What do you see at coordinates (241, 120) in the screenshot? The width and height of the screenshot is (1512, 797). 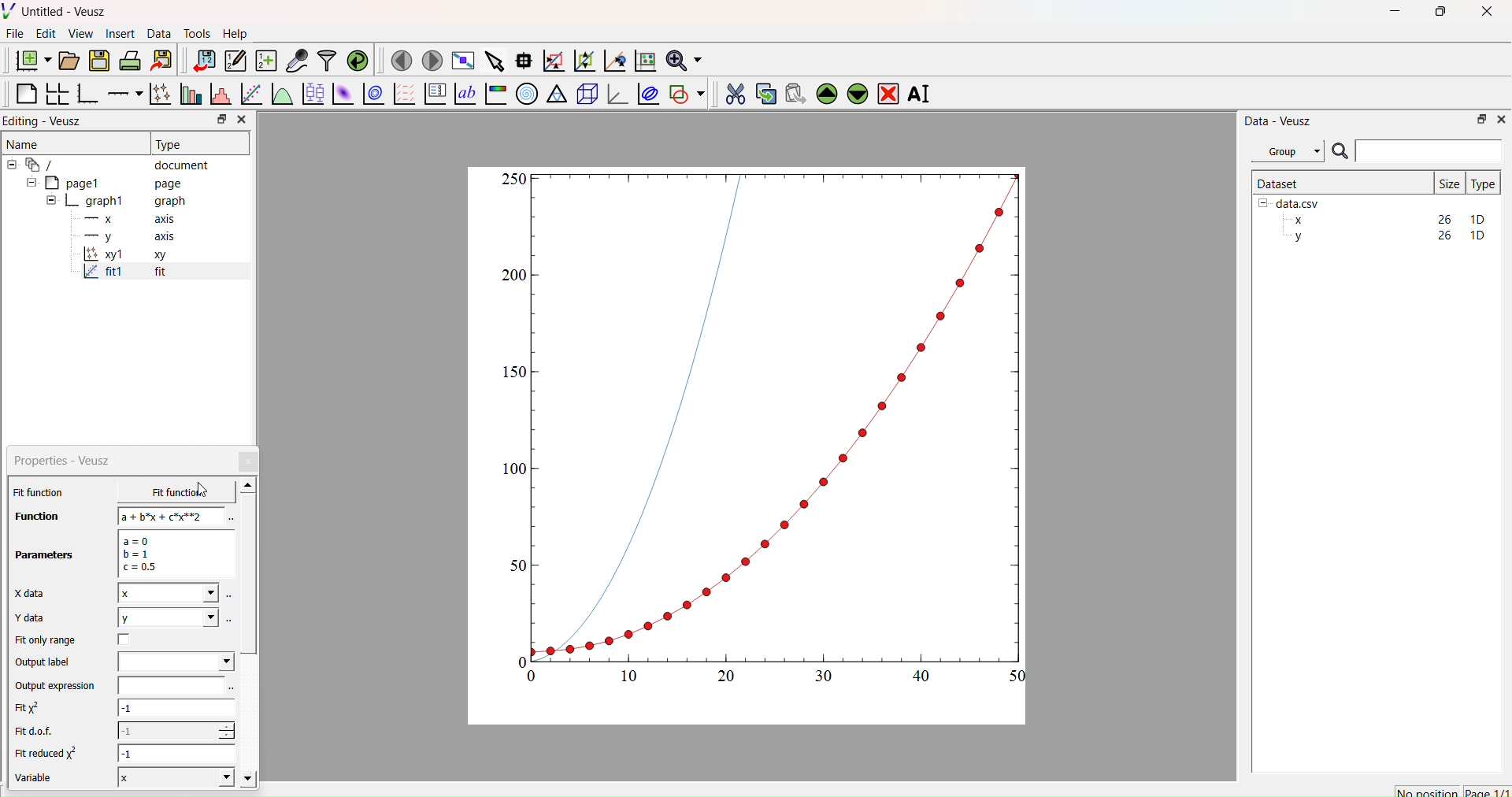 I see `Close` at bounding box center [241, 120].